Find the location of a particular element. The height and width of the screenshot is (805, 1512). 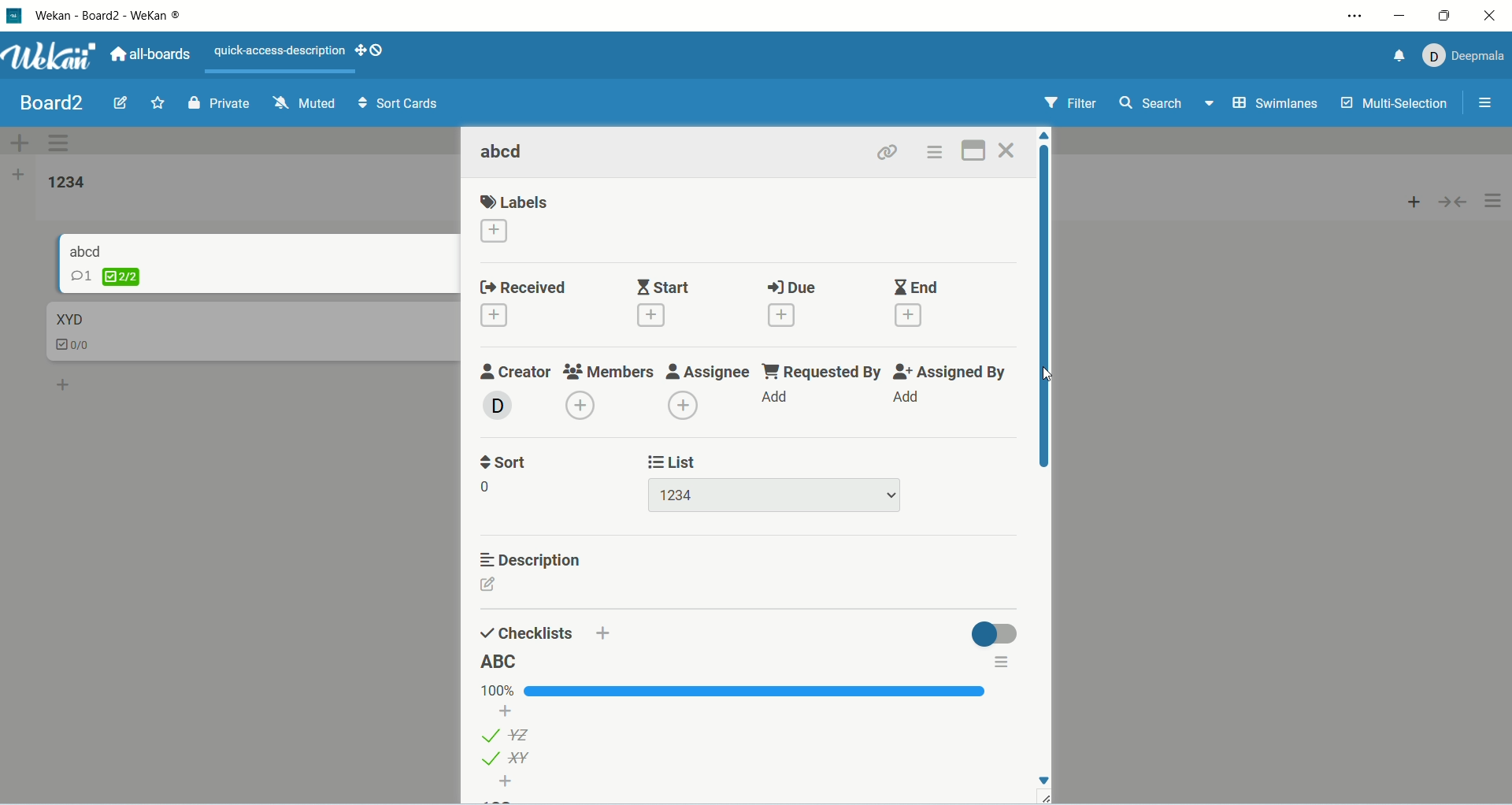

sort is located at coordinates (503, 461).